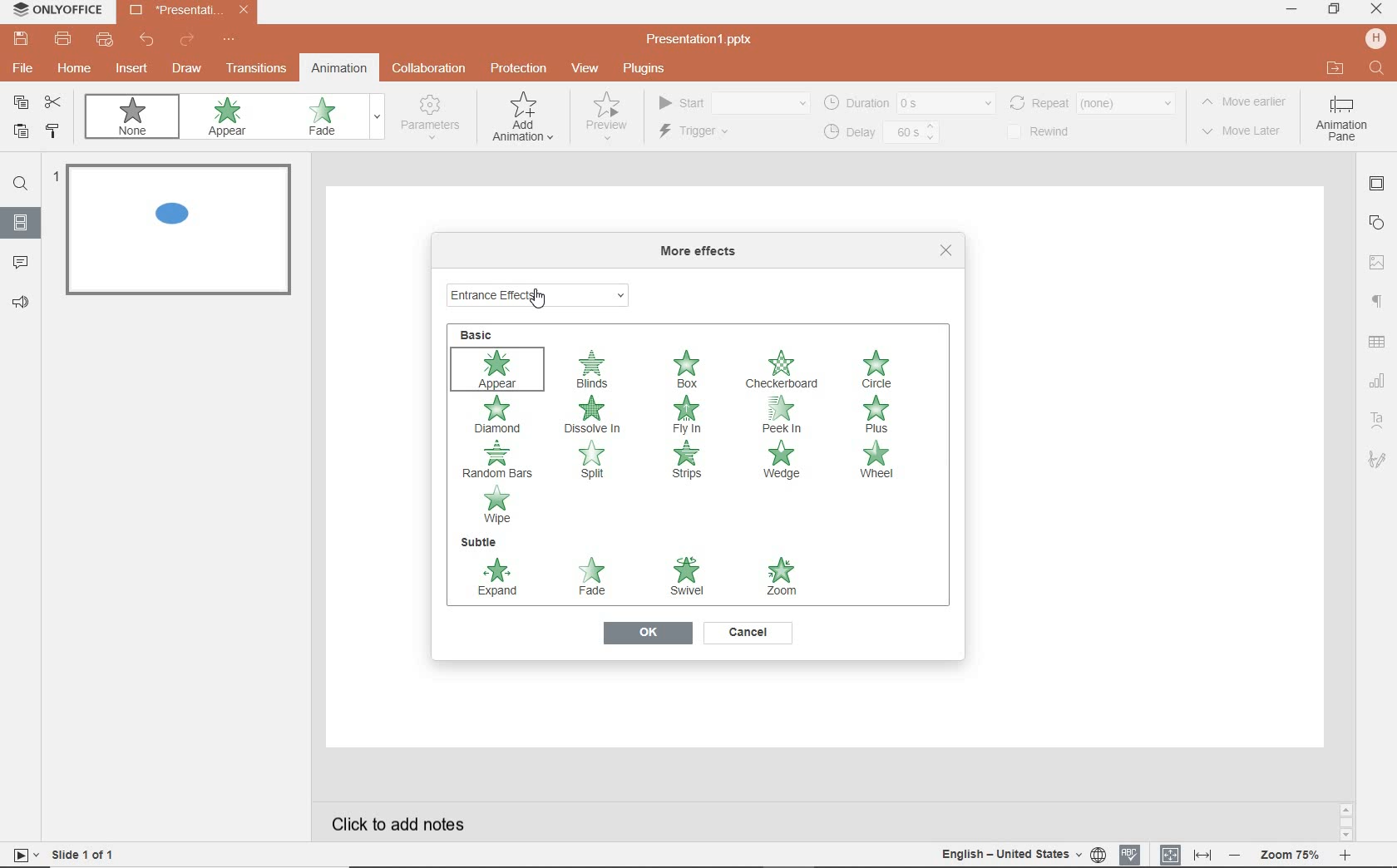  Describe the element at coordinates (1246, 132) in the screenshot. I see `move later` at that location.